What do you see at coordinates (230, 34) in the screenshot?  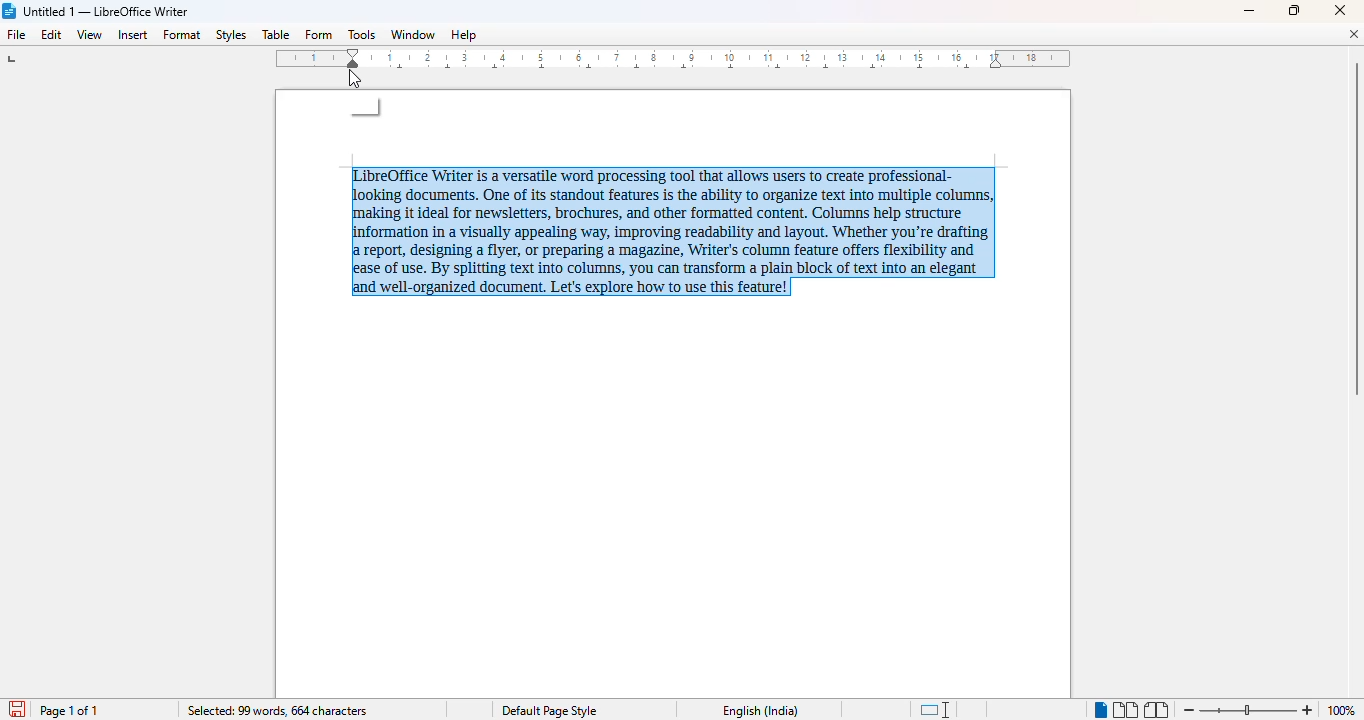 I see `styles` at bounding box center [230, 34].